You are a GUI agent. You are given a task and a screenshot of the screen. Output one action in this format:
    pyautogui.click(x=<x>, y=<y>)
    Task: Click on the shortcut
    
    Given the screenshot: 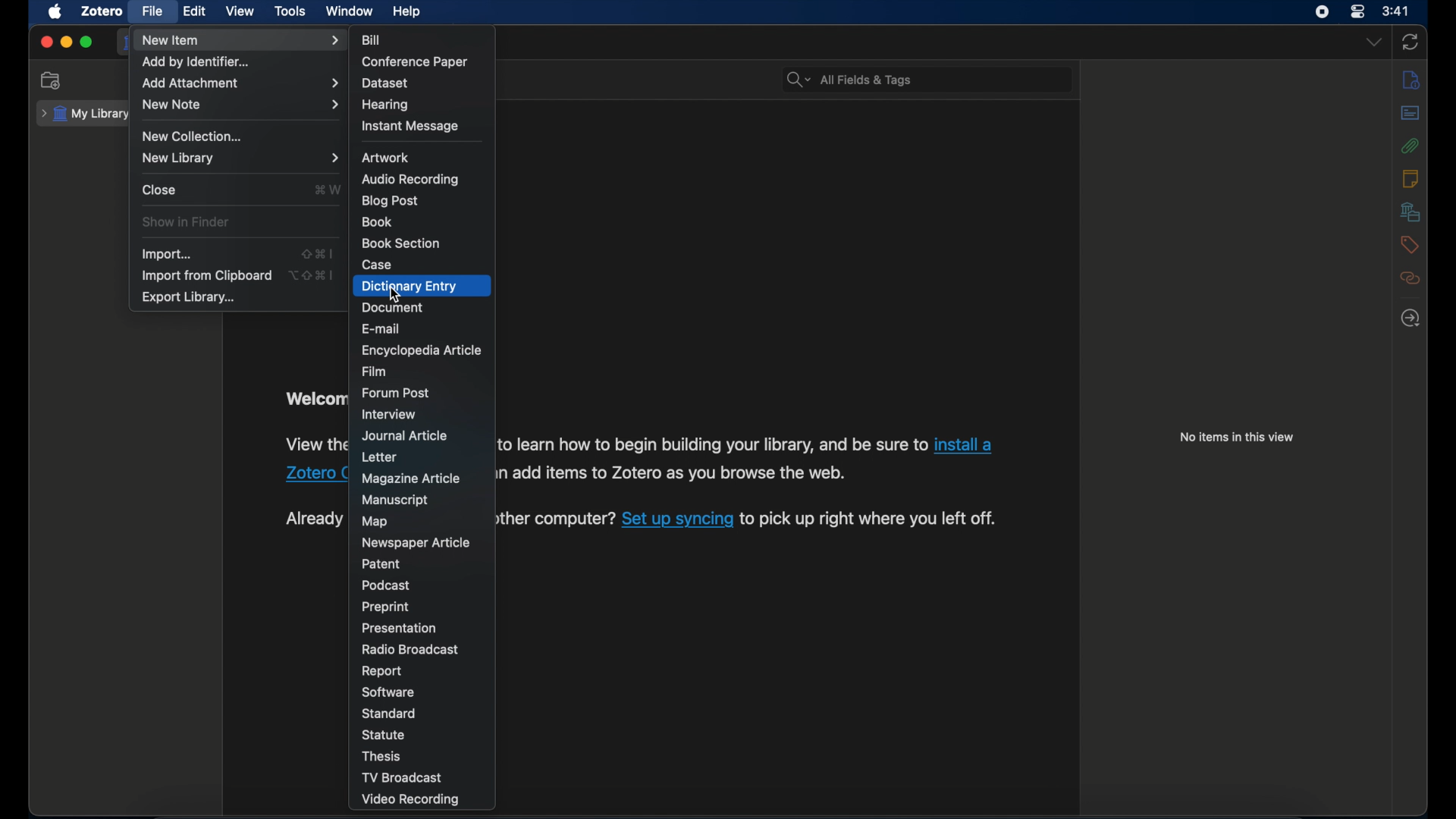 What is the action you would take?
    pyautogui.click(x=317, y=253)
    